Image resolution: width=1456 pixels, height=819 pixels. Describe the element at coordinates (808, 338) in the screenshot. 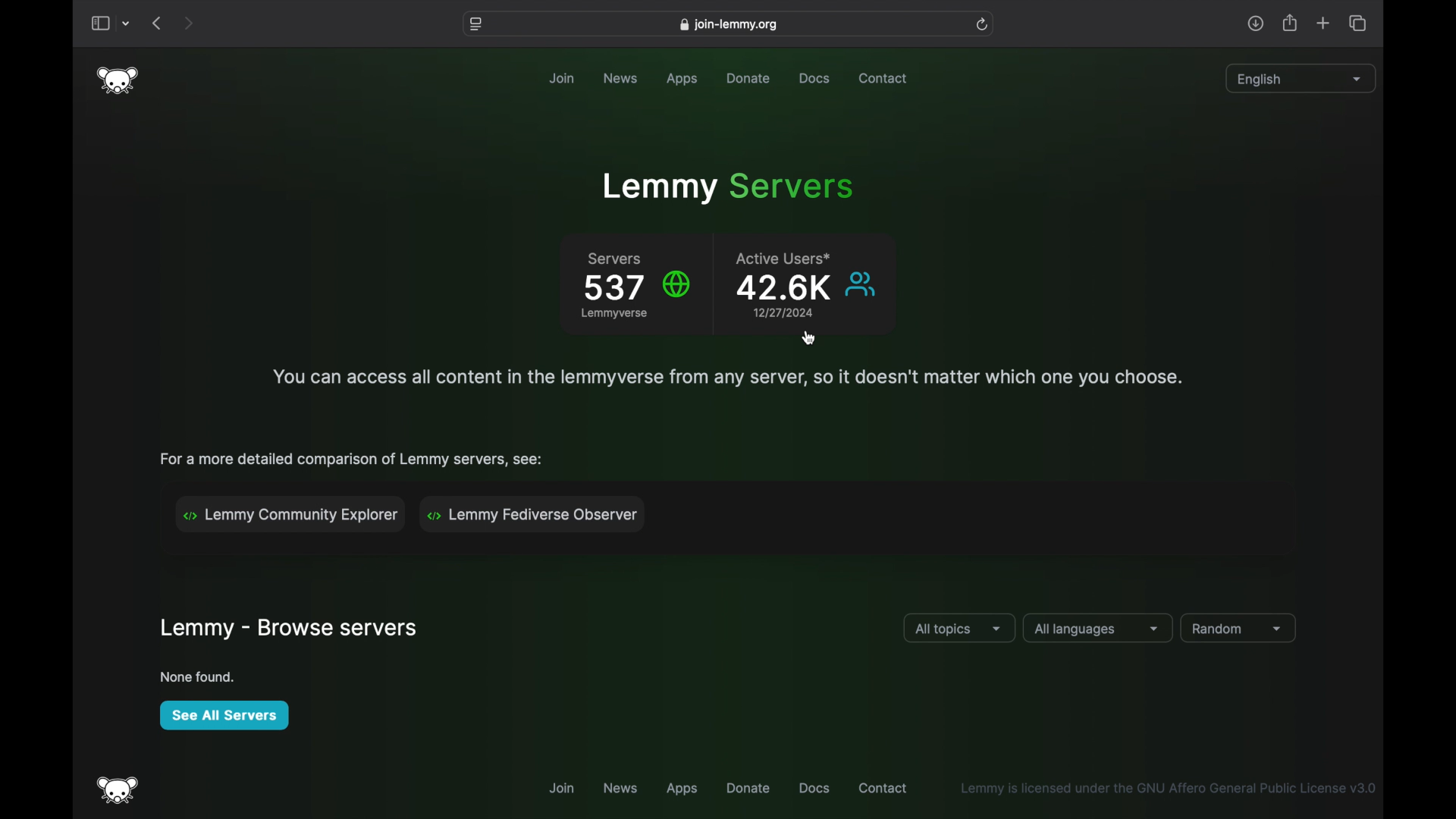

I see `cursor` at that location.